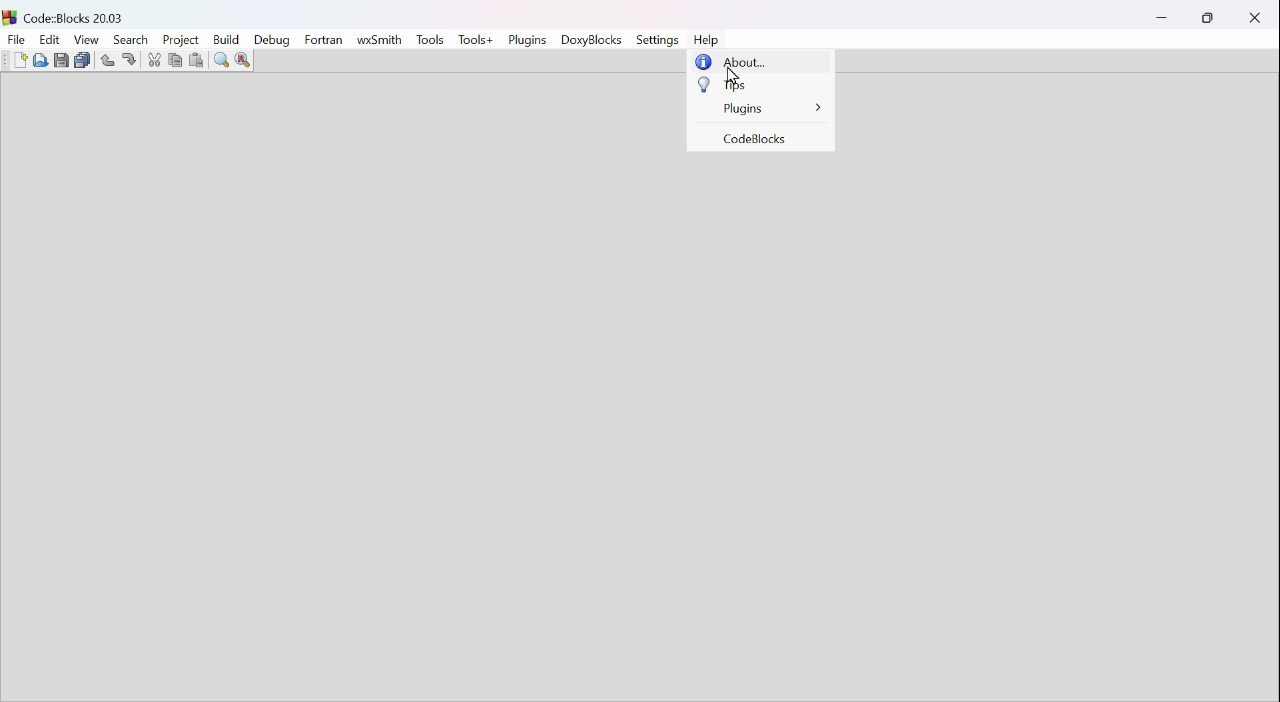 This screenshot has height=702, width=1280. What do you see at coordinates (1164, 14) in the screenshot?
I see `minimise` at bounding box center [1164, 14].